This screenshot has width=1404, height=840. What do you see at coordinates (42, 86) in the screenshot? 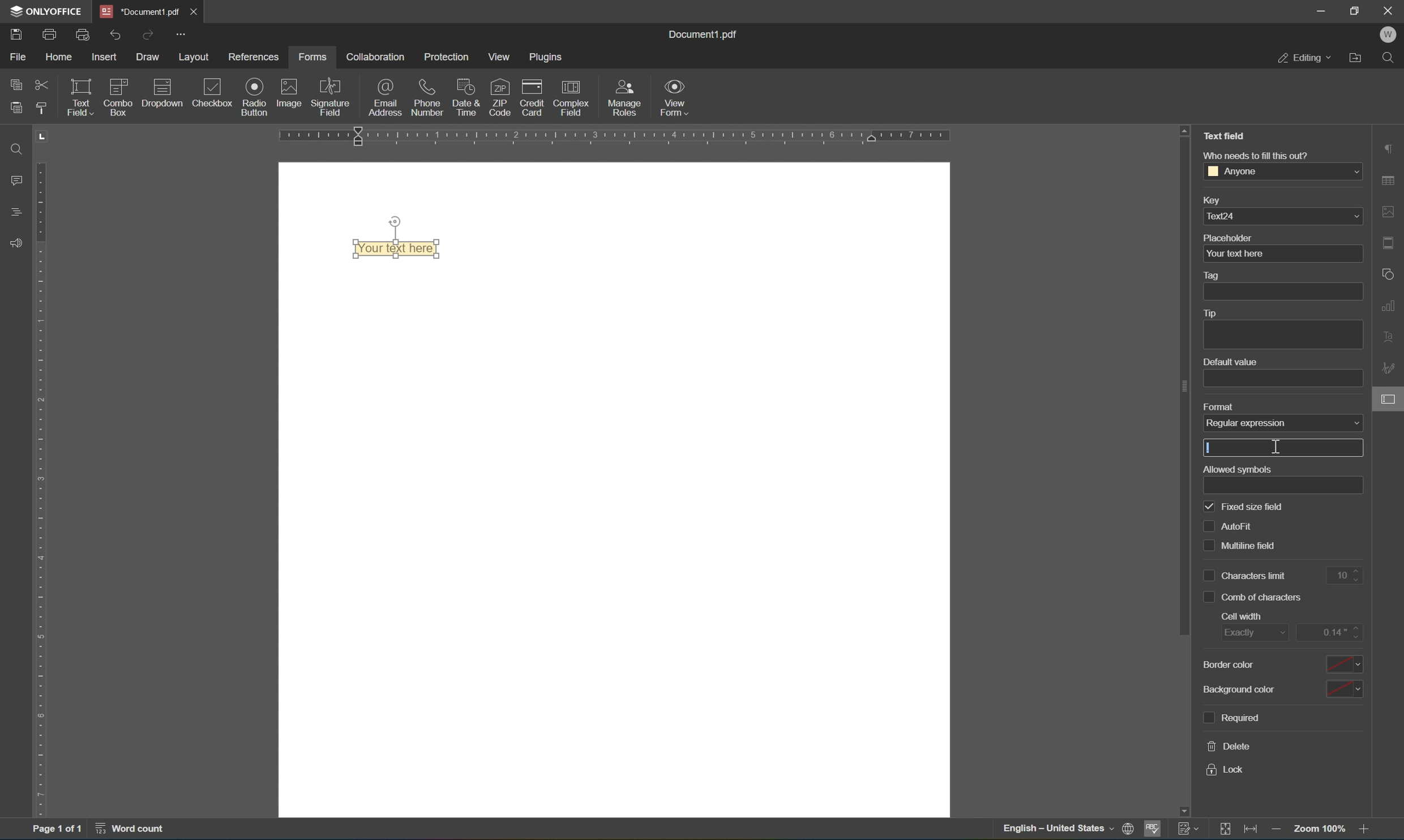
I see `cut` at bounding box center [42, 86].